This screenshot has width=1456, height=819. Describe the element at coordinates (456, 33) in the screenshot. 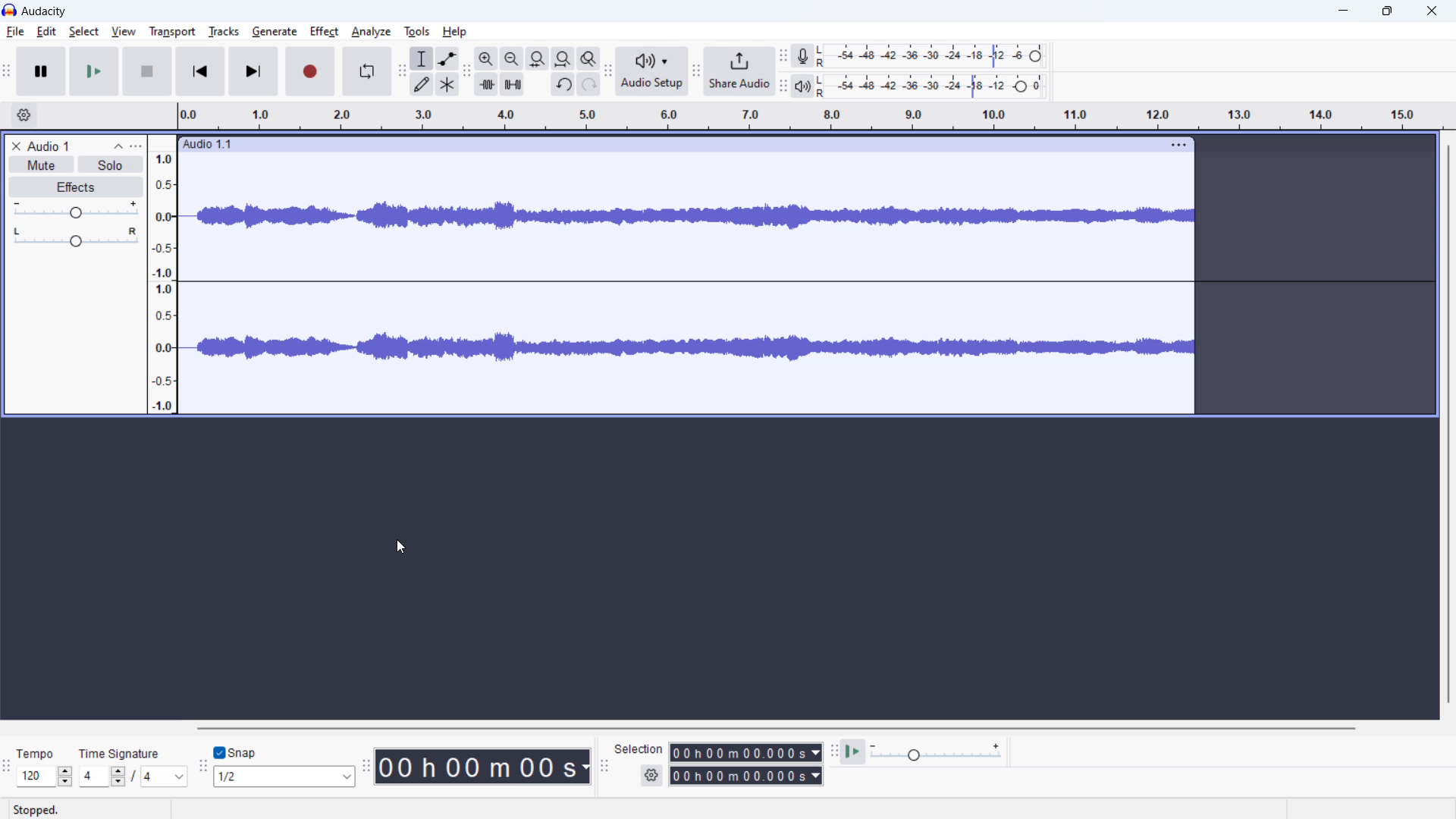

I see `help` at that location.